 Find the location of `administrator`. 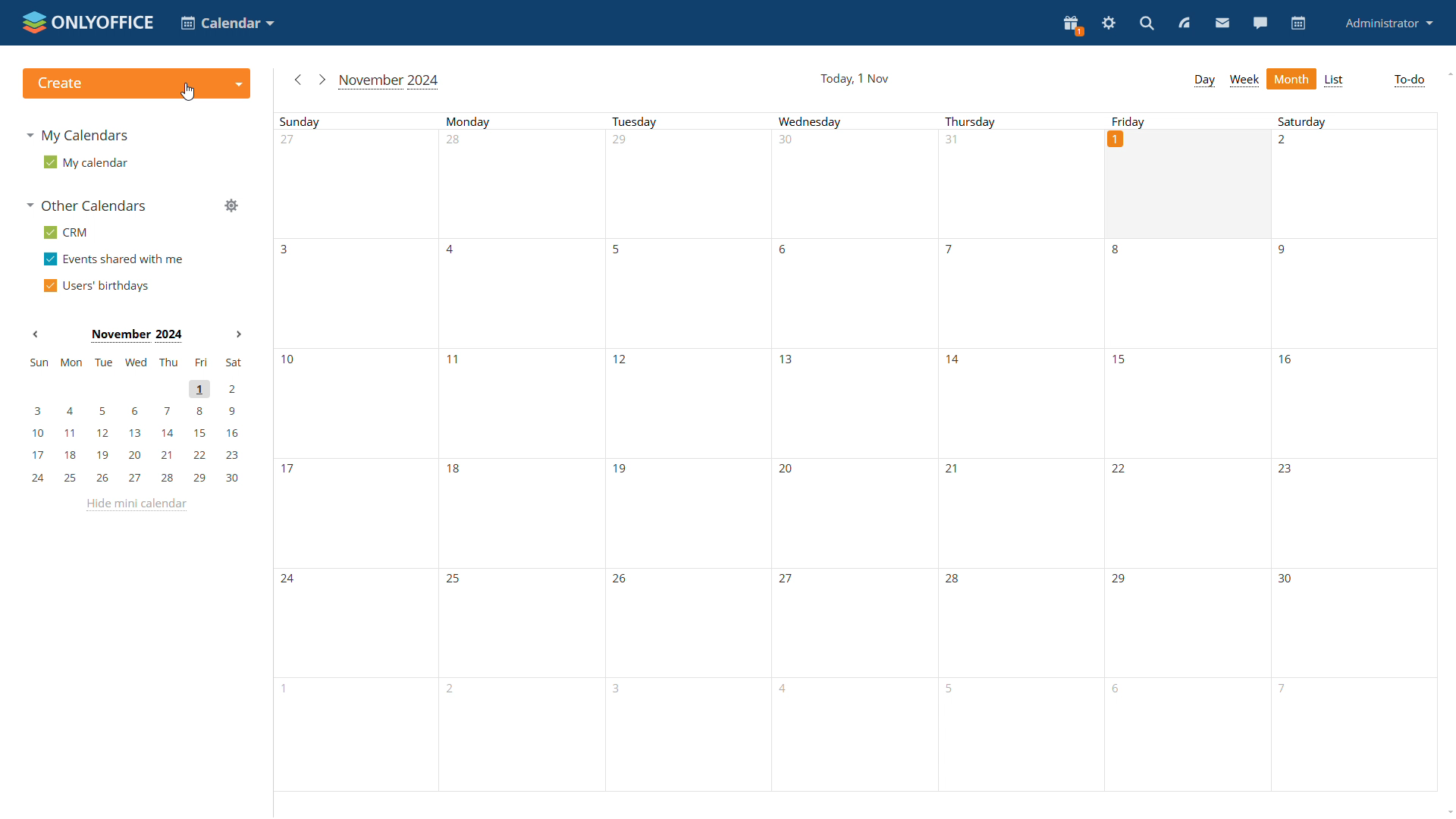

administrator is located at coordinates (1390, 22).